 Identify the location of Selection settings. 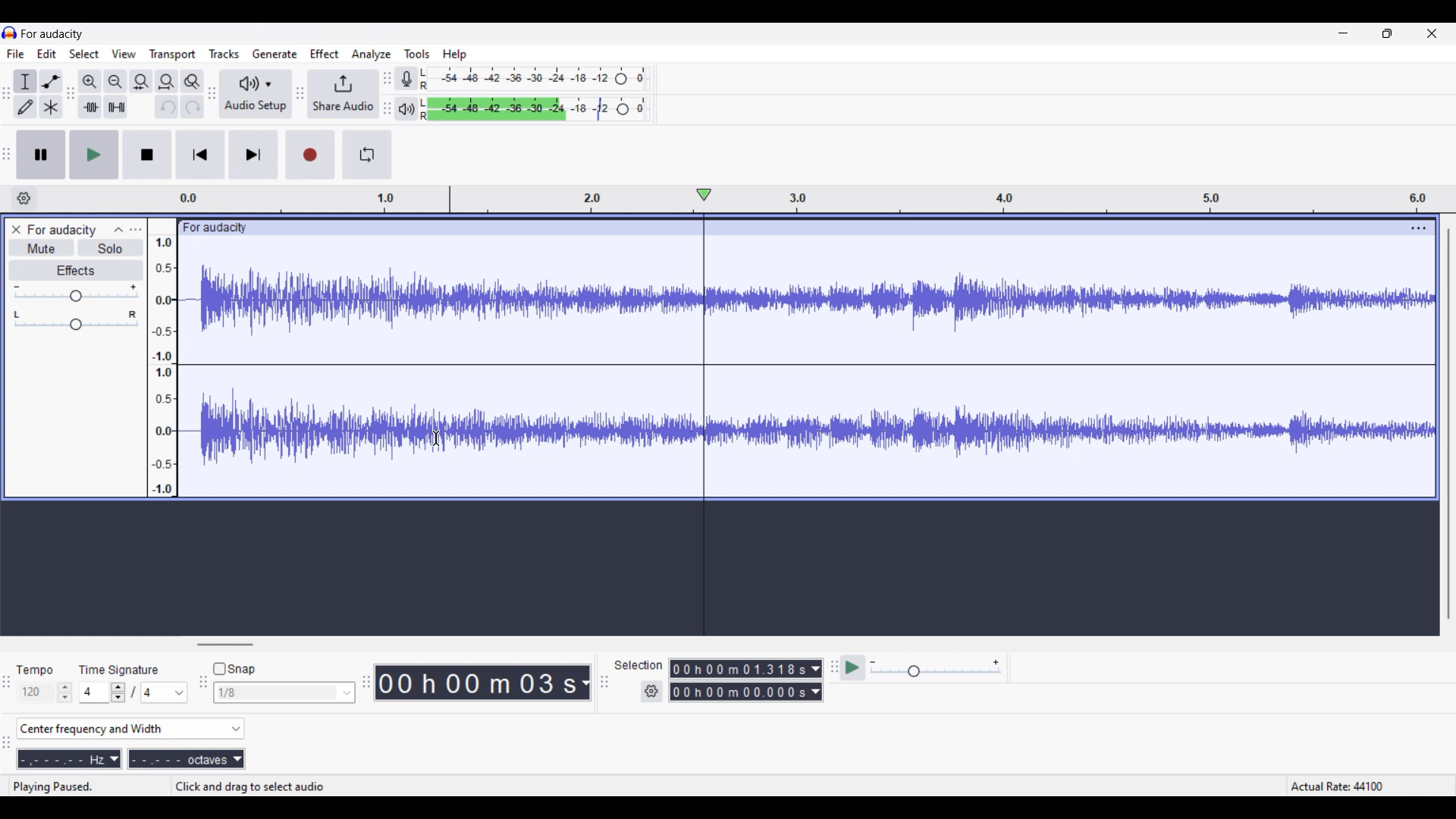
(651, 691).